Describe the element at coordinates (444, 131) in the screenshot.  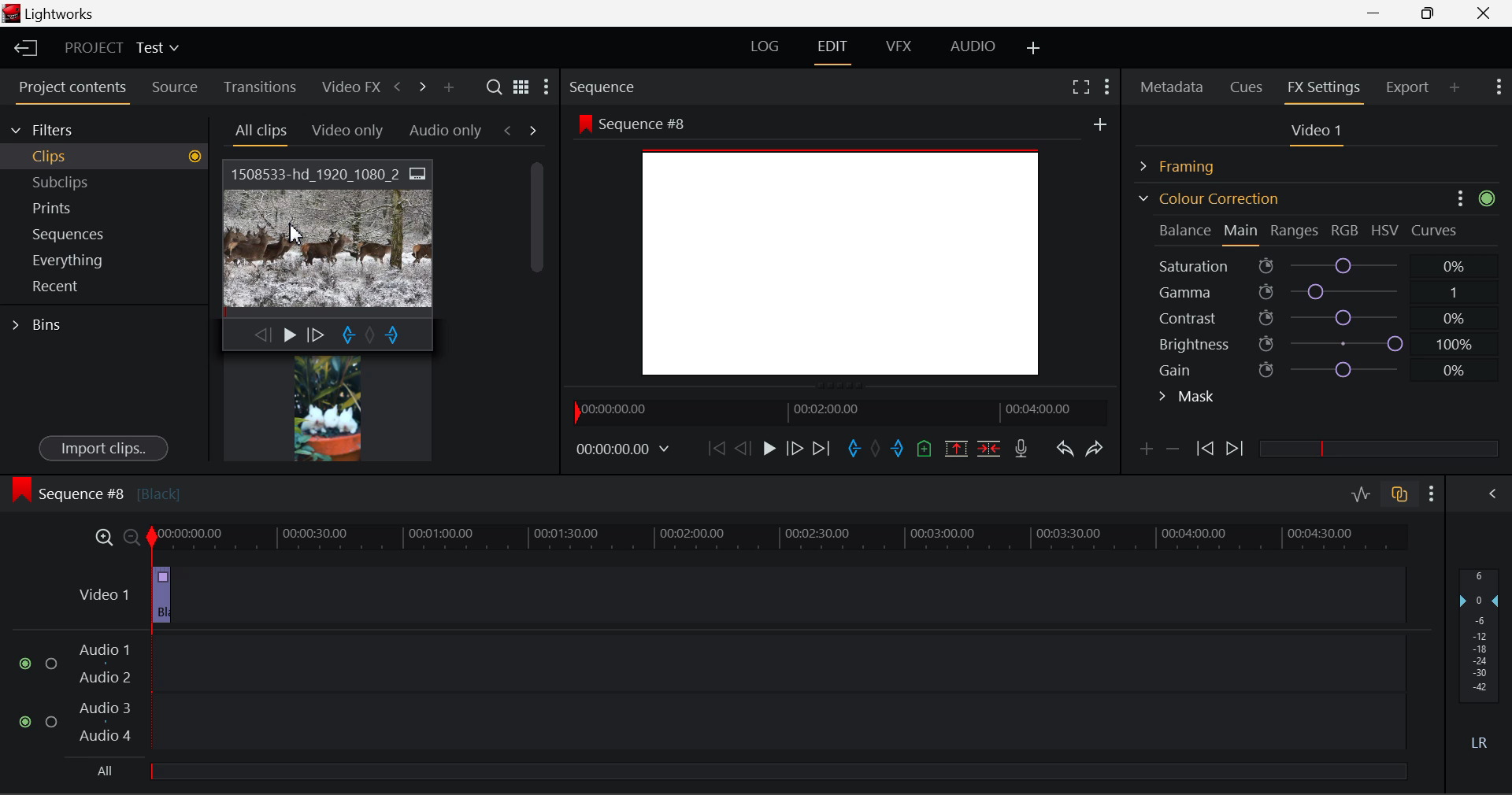
I see `This week Tab` at that location.